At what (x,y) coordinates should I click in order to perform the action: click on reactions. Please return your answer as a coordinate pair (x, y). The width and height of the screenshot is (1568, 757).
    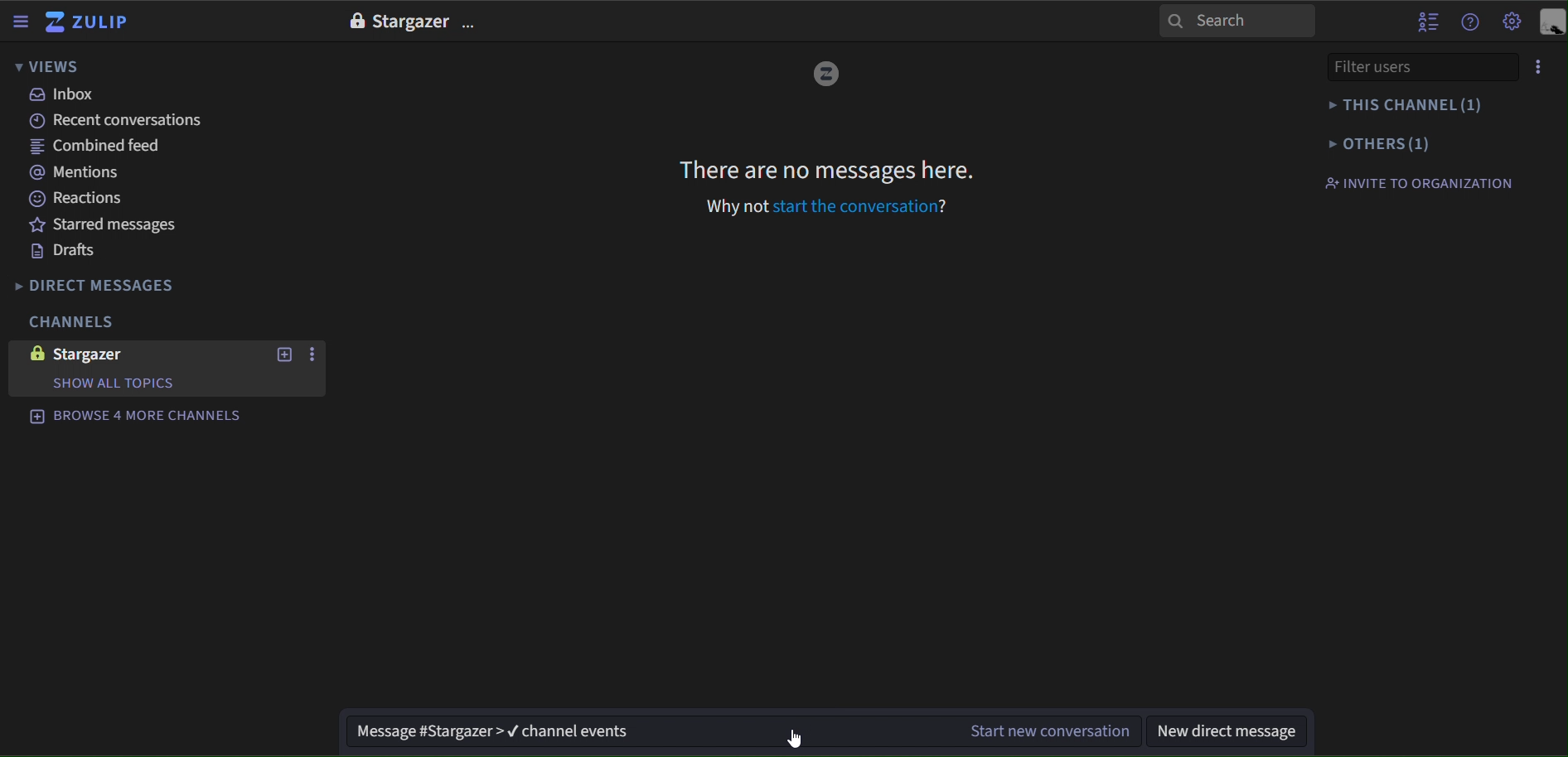
    Looking at the image, I should click on (88, 199).